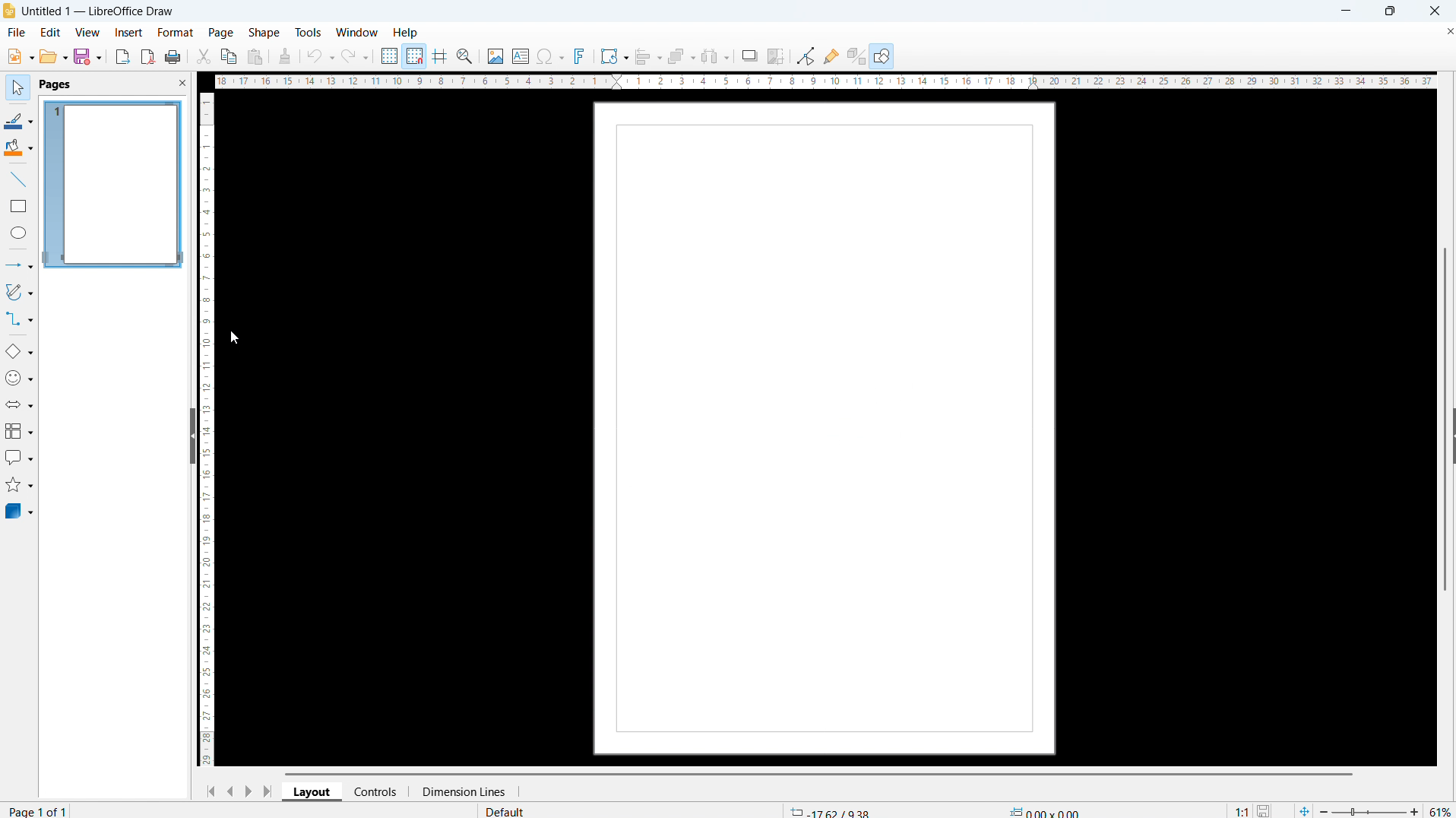 This screenshot has height=818, width=1456. Describe the element at coordinates (123, 57) in the screenshot. I see `export` at that location.